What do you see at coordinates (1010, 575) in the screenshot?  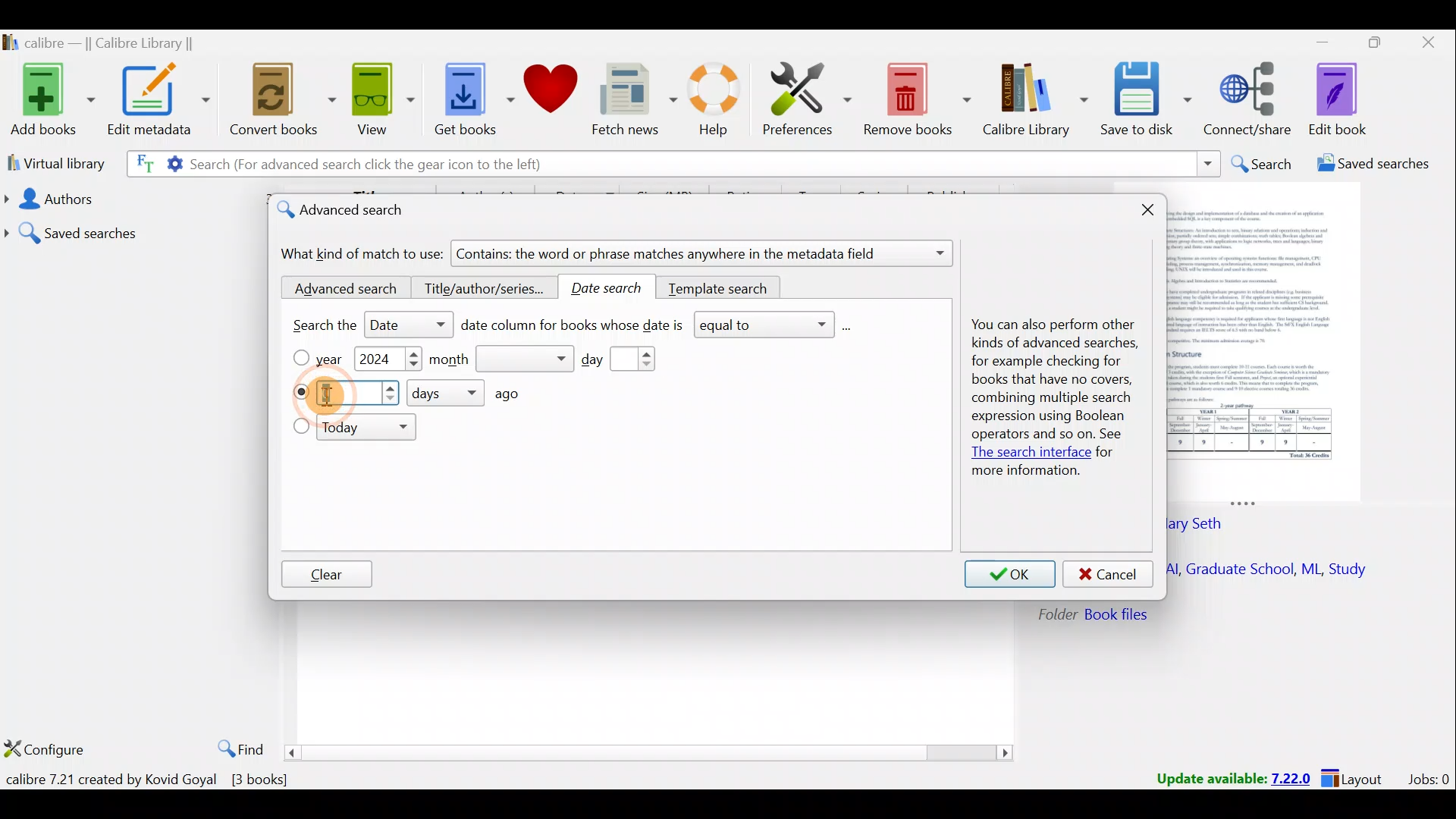 I see `OK` at bounding box center [1010, 575].